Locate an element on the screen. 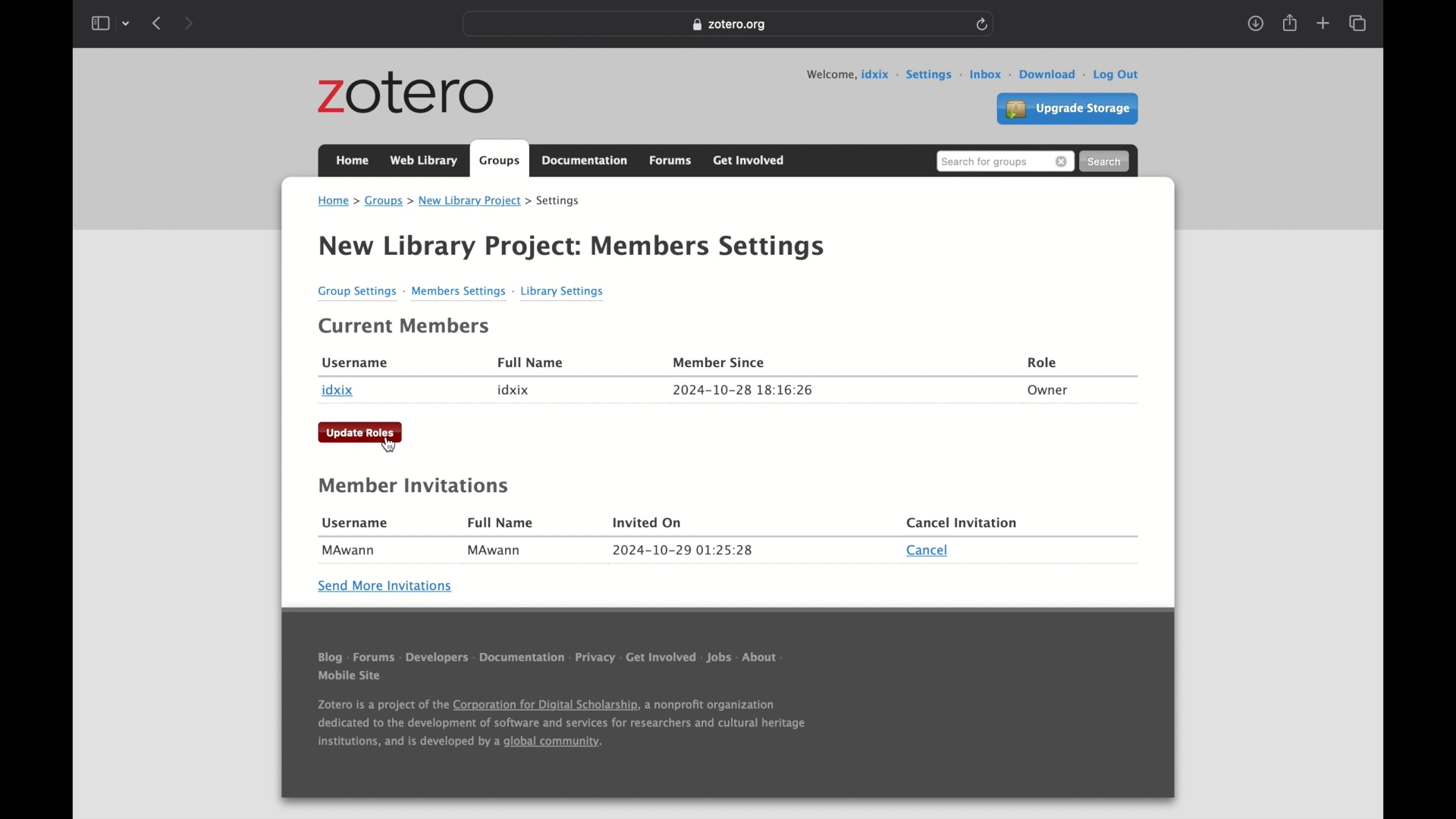 The width and height of the screenshot is (1456, 819). show tab overview is located at coordinates (1357, 24).